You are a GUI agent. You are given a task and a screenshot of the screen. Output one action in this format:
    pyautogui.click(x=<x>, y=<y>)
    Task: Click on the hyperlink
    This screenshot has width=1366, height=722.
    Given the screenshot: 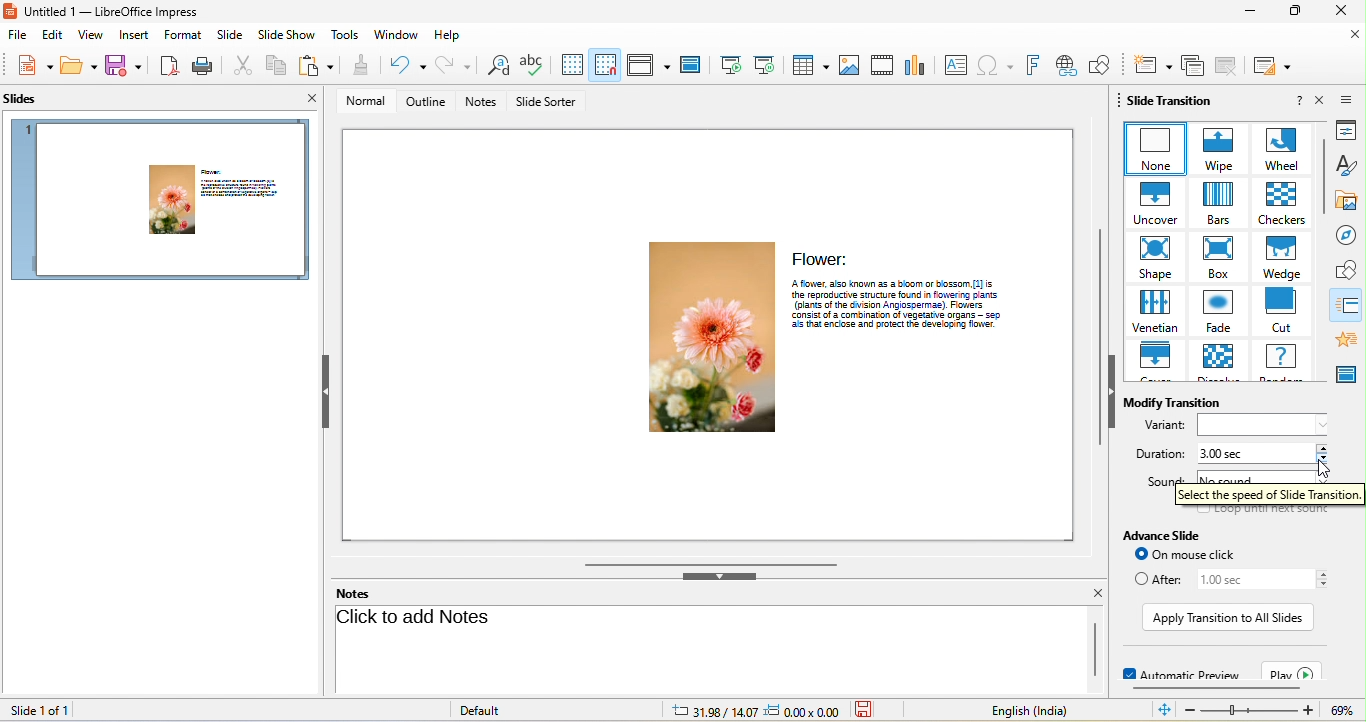 What is the action you would take?
    pyautogui.click(x=1066, y=65)
    